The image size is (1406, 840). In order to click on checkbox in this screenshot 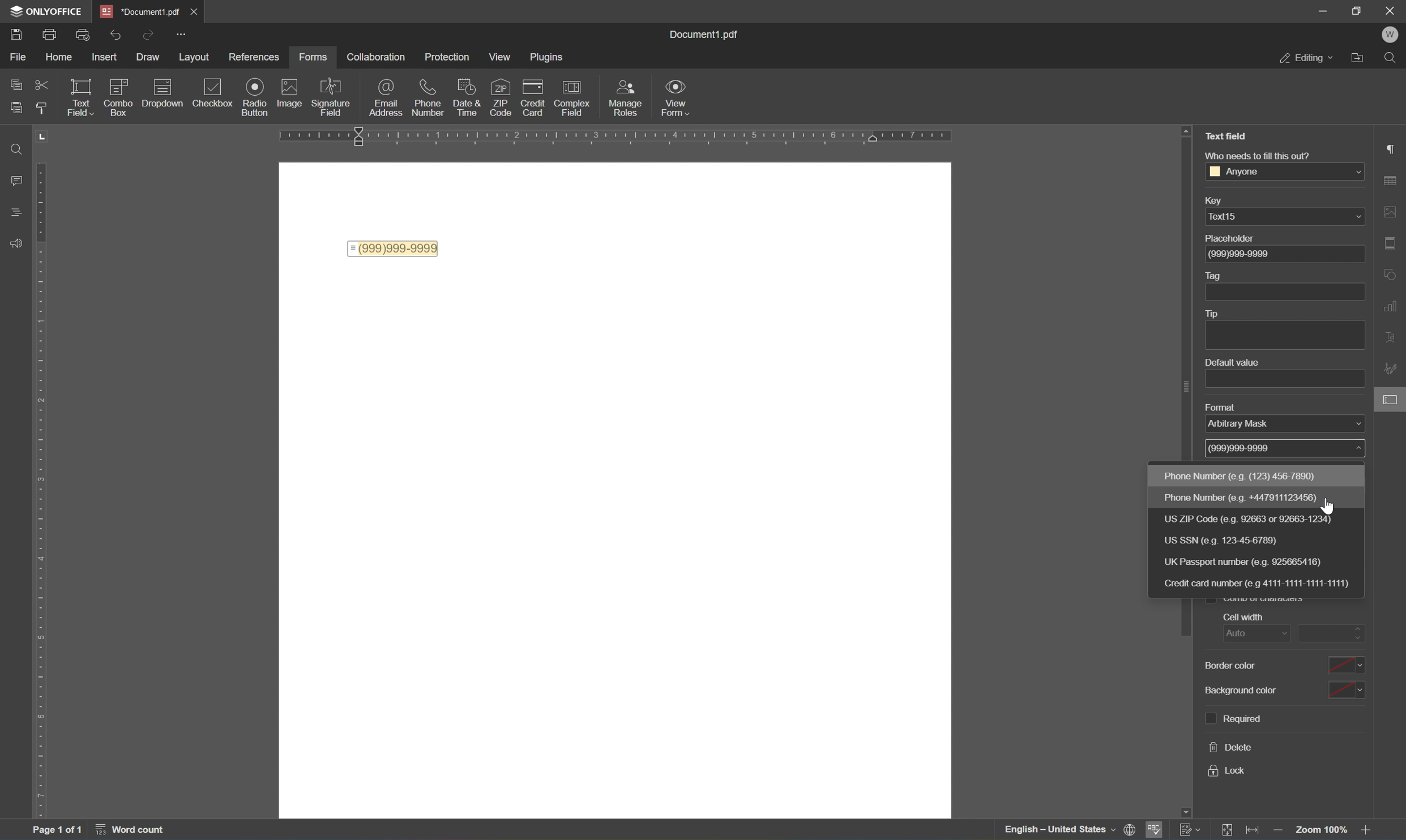, I will do `click(216, 92)`.